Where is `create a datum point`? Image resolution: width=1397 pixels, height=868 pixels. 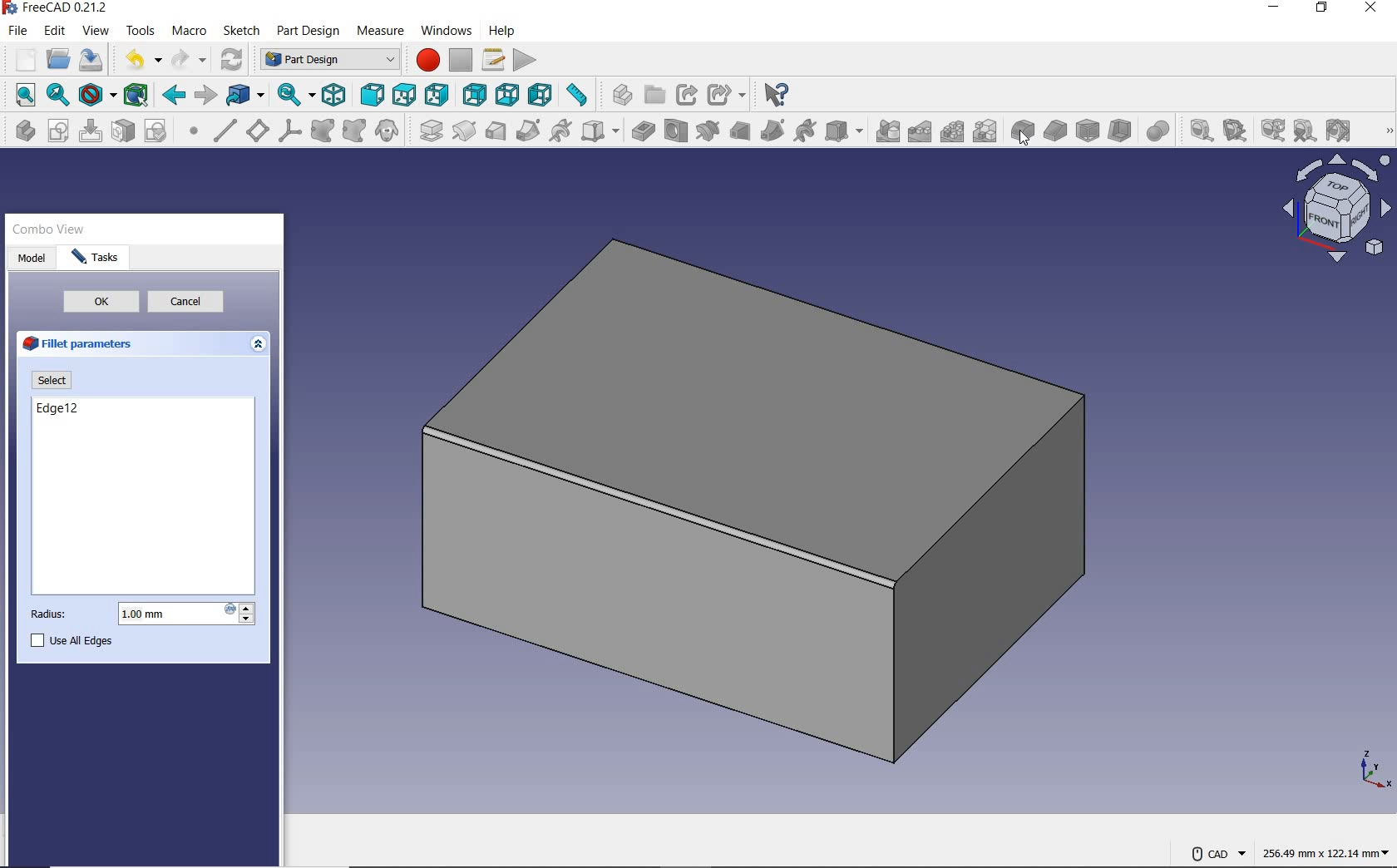
create a datum point is located at coordinates (190, 131).